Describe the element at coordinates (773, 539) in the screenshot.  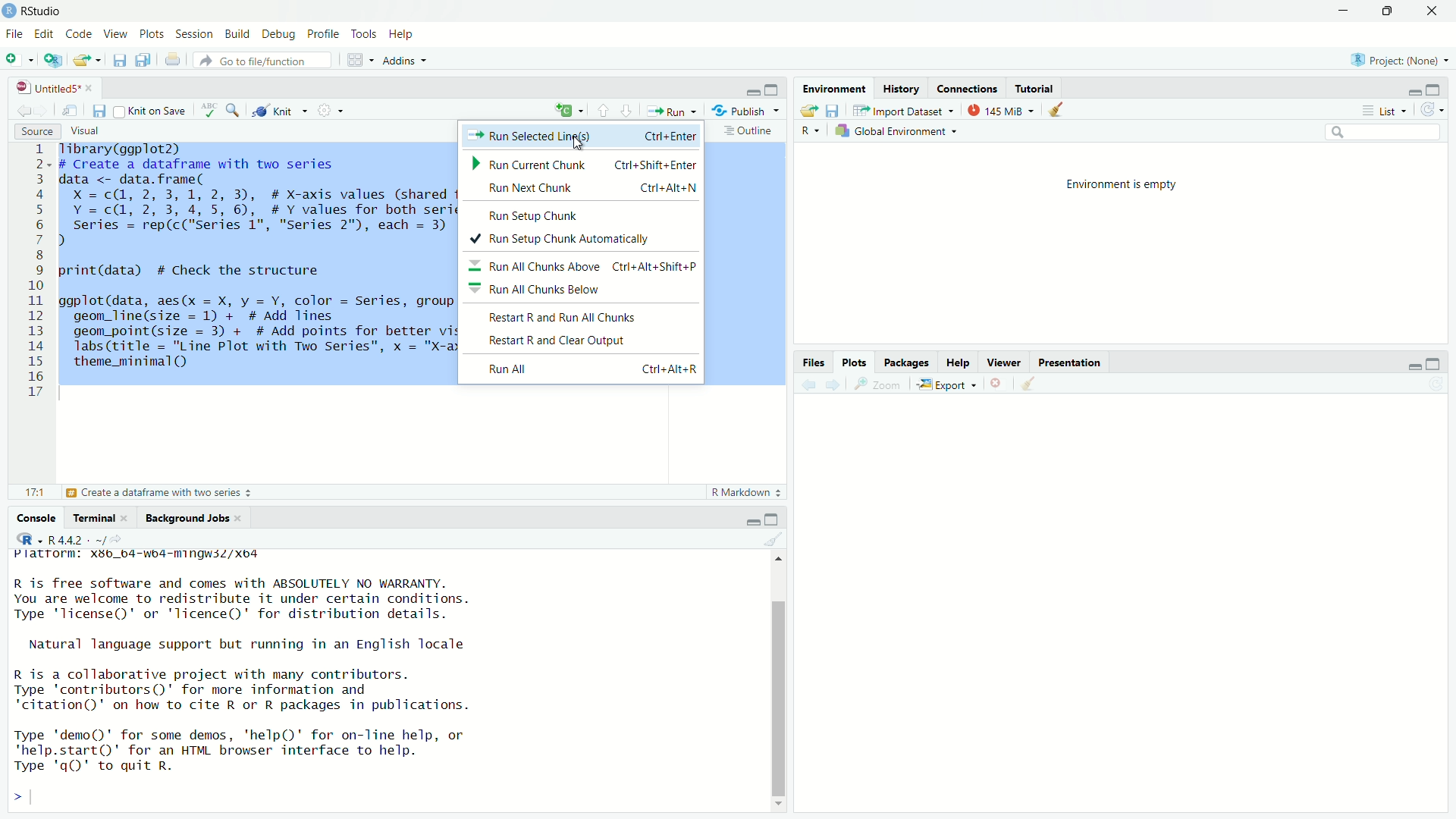
I see `Clear object from the workspace` at that location.